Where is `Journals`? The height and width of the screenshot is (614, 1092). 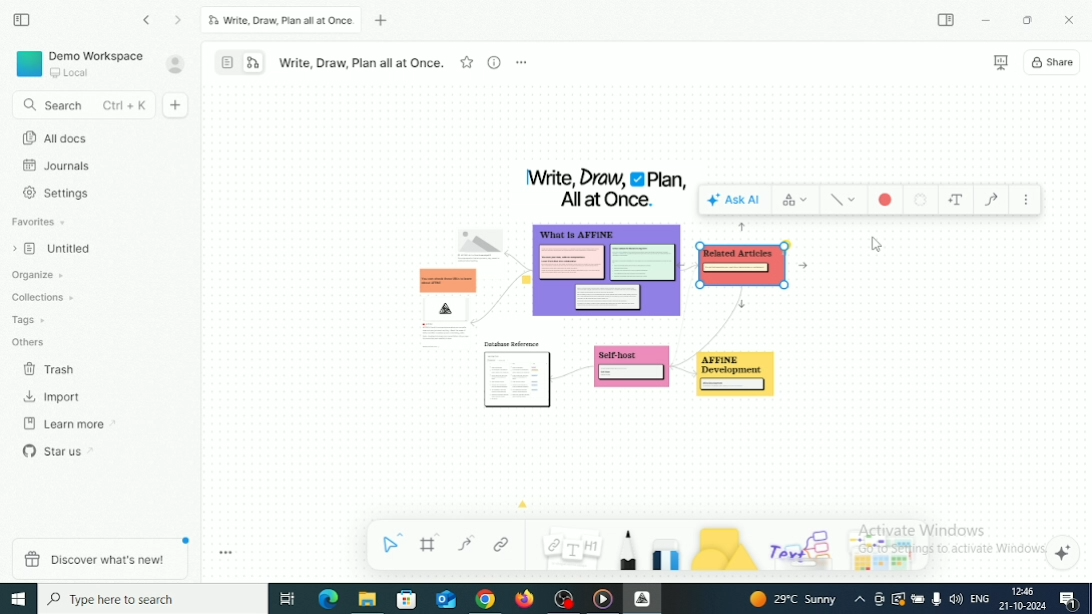
Journals is located at coordinates (58, 166).